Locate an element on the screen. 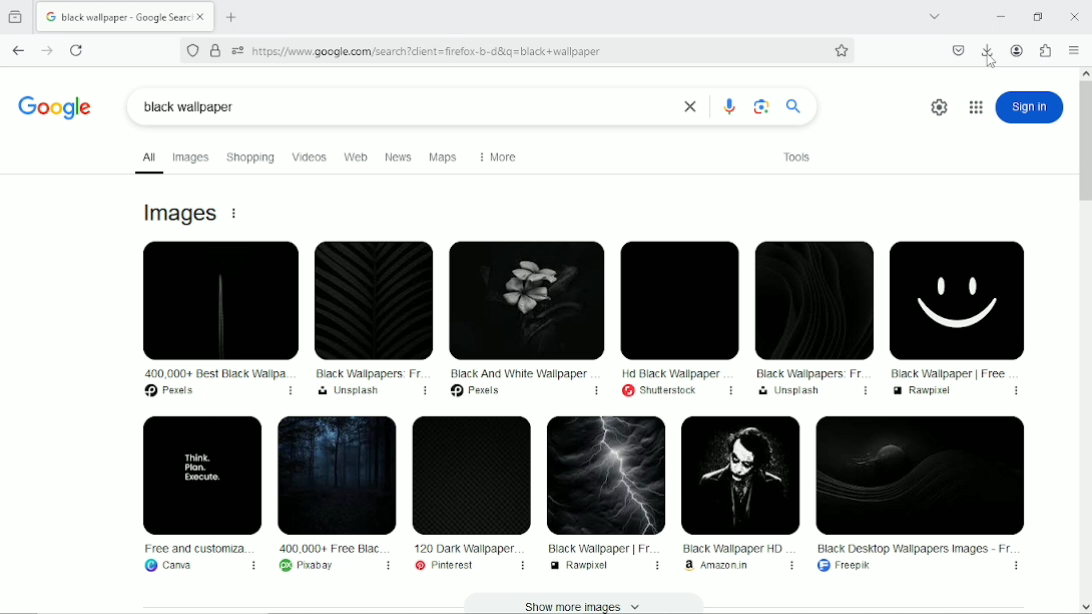  Black Wallpaper HD is located at coordinates (738, 493).